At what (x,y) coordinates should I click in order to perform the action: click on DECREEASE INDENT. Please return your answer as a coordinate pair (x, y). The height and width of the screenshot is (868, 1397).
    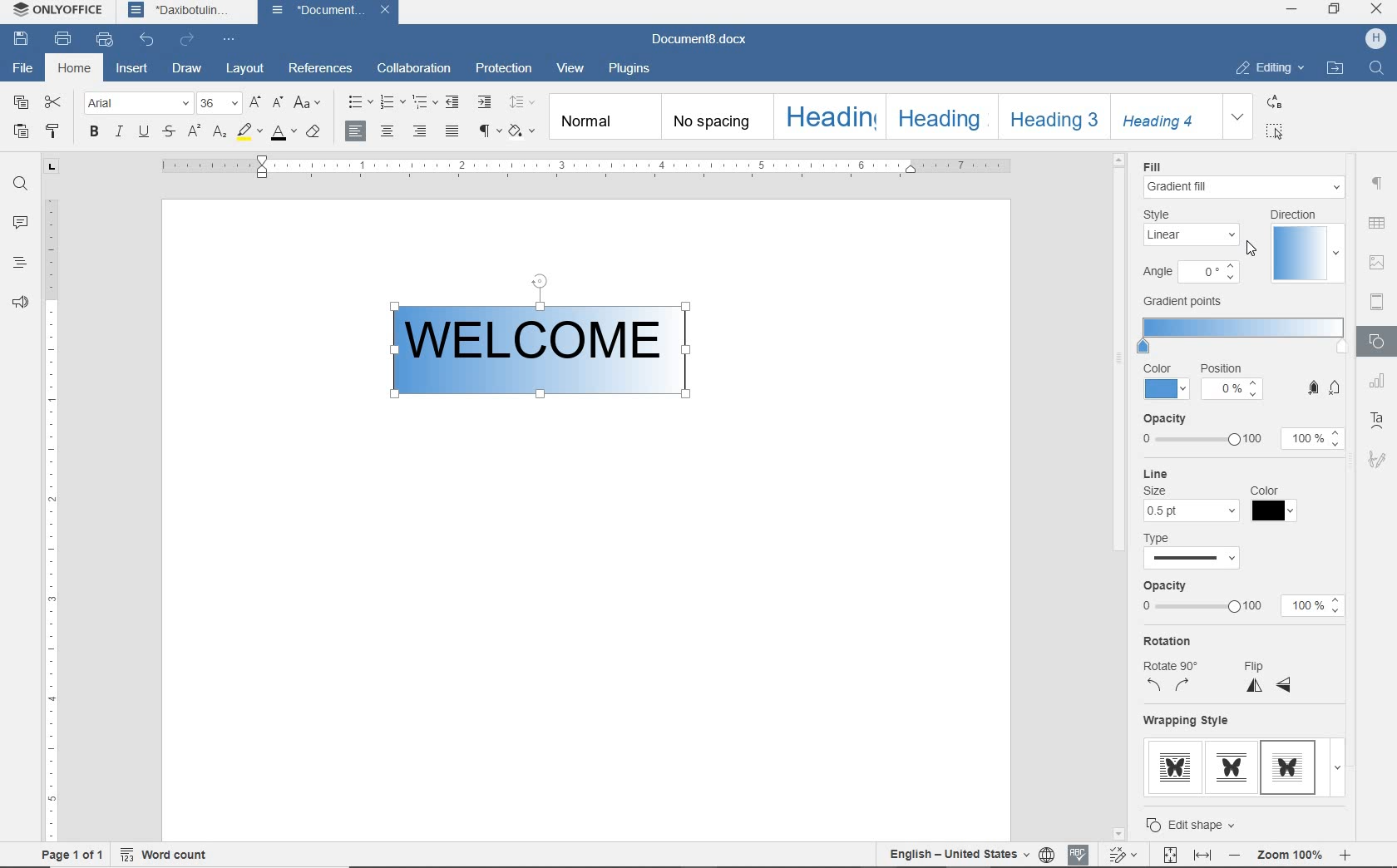
    Looking at the image, I should click on (453, 102).